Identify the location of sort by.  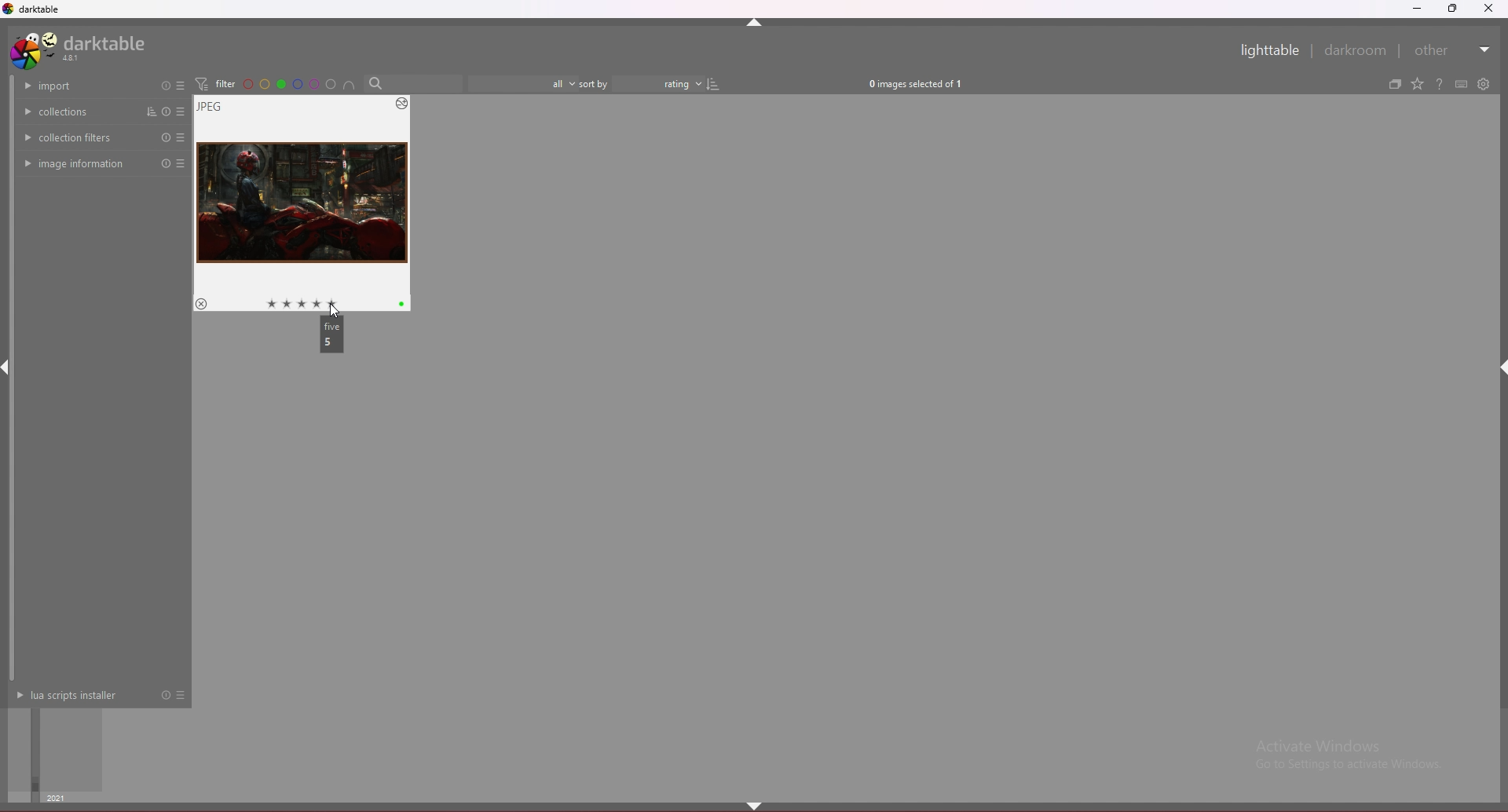
(594, 84).